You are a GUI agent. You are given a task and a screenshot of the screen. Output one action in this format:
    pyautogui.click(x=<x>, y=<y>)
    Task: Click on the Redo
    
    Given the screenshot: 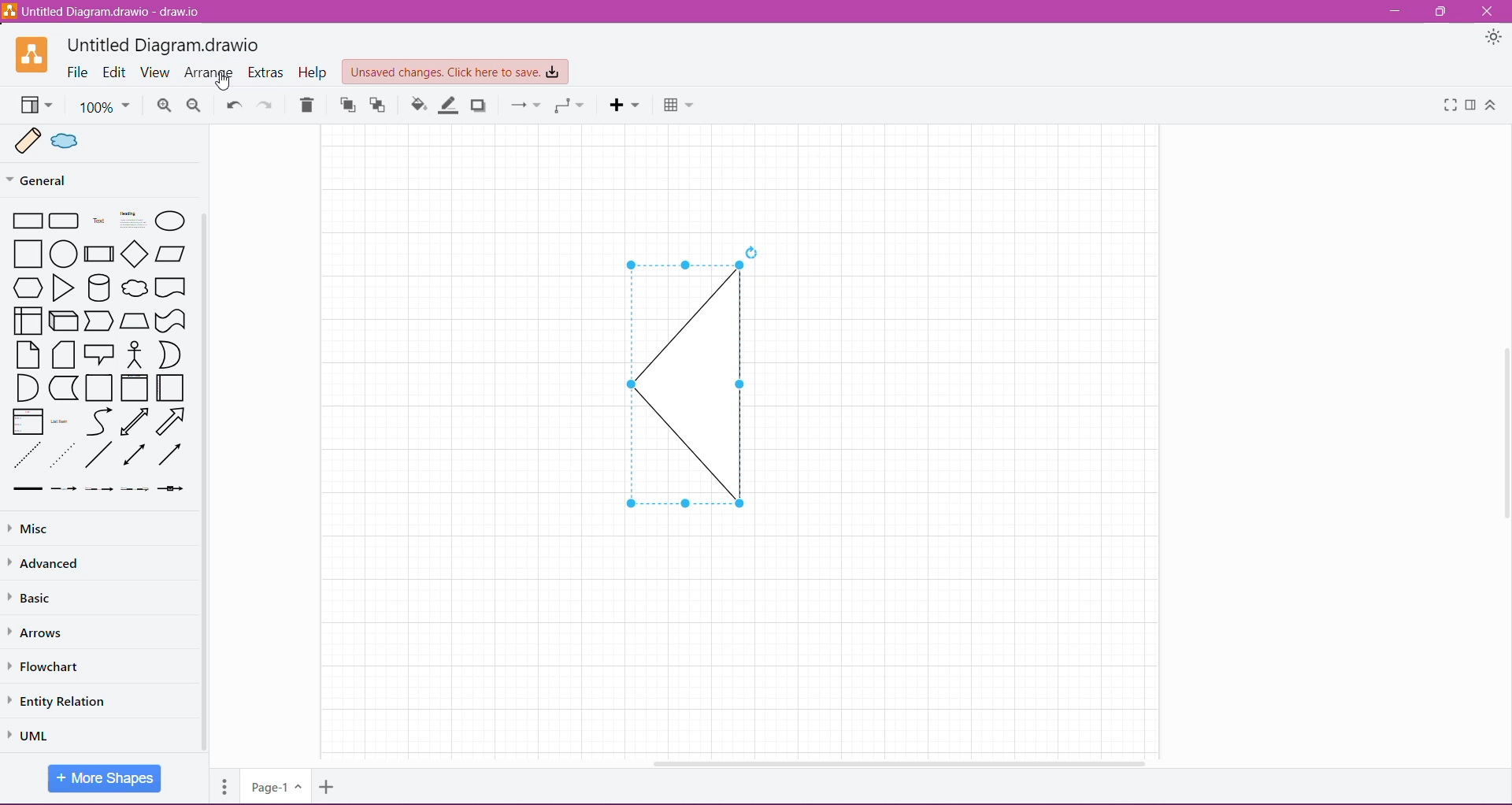 What is the action you would take?
    pyautogui.click(x=268, y=104)
    